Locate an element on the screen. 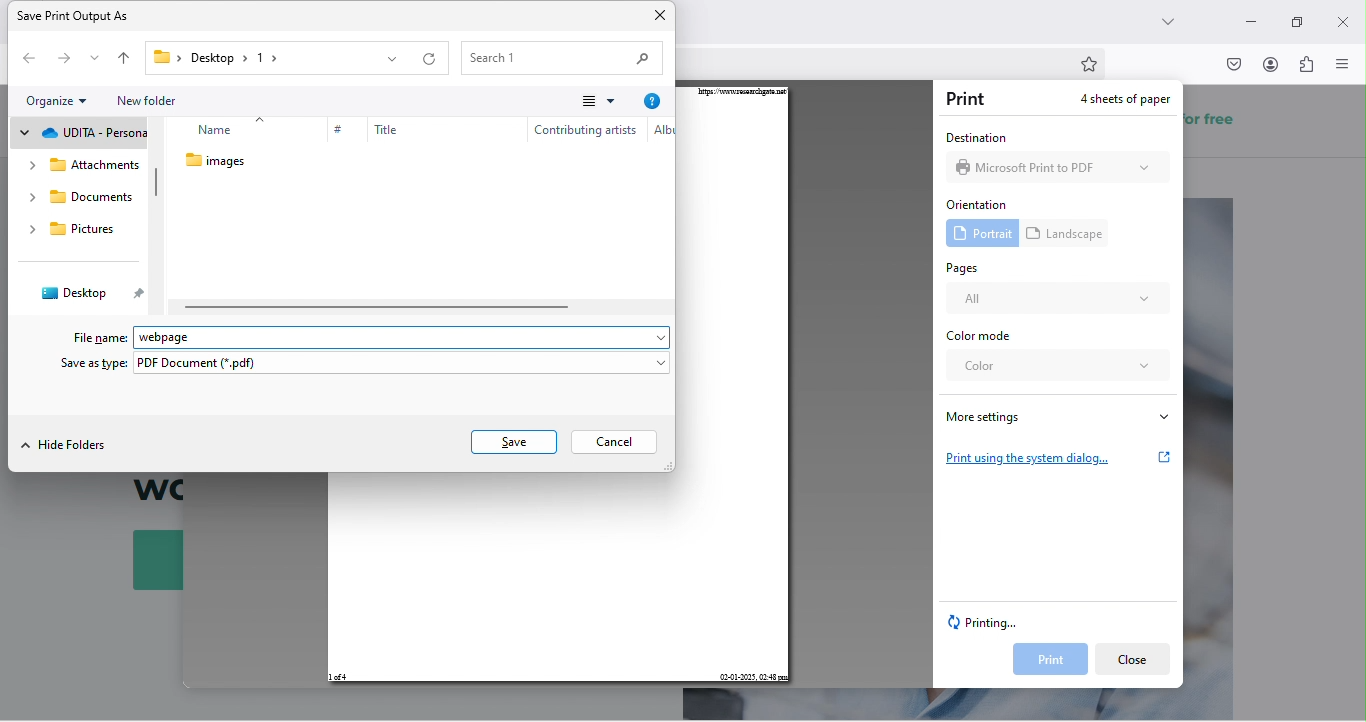 The image size is (1366, 722). all is located at coordinates (1058, 300).